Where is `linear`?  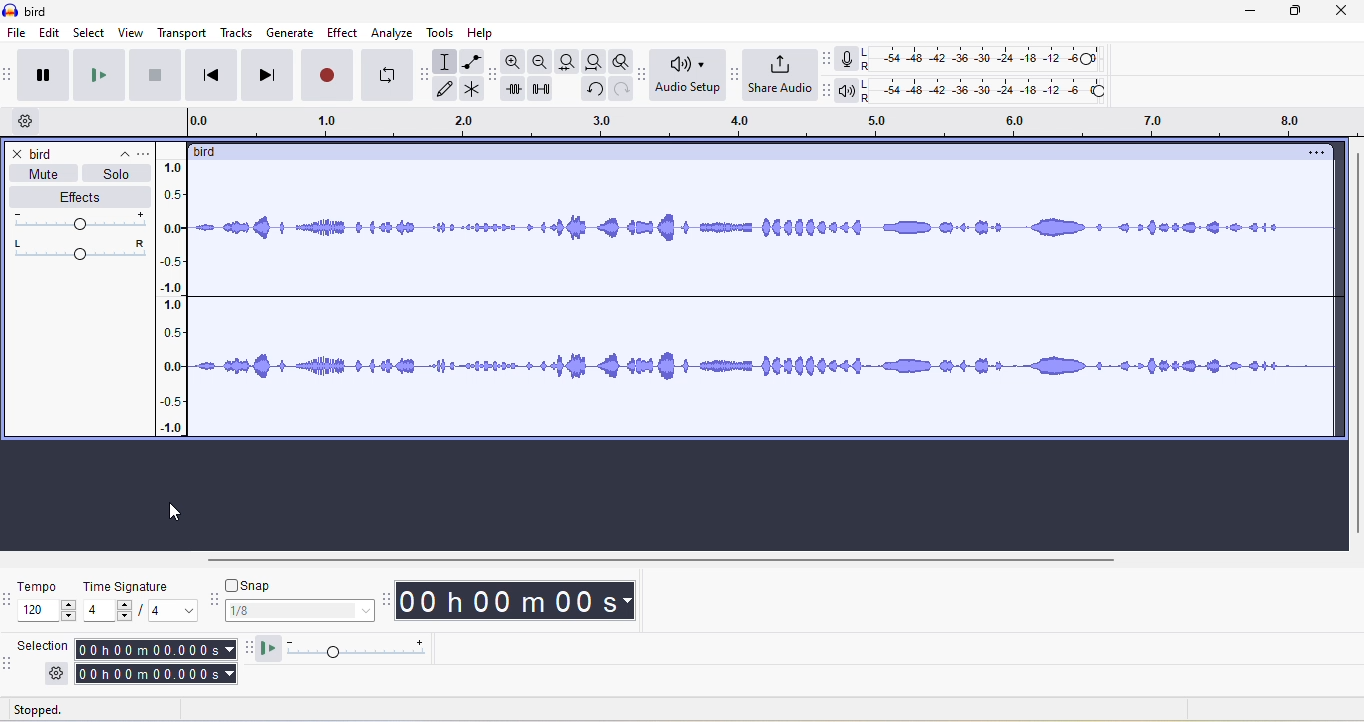
linear is located at coordinates (179, 300).